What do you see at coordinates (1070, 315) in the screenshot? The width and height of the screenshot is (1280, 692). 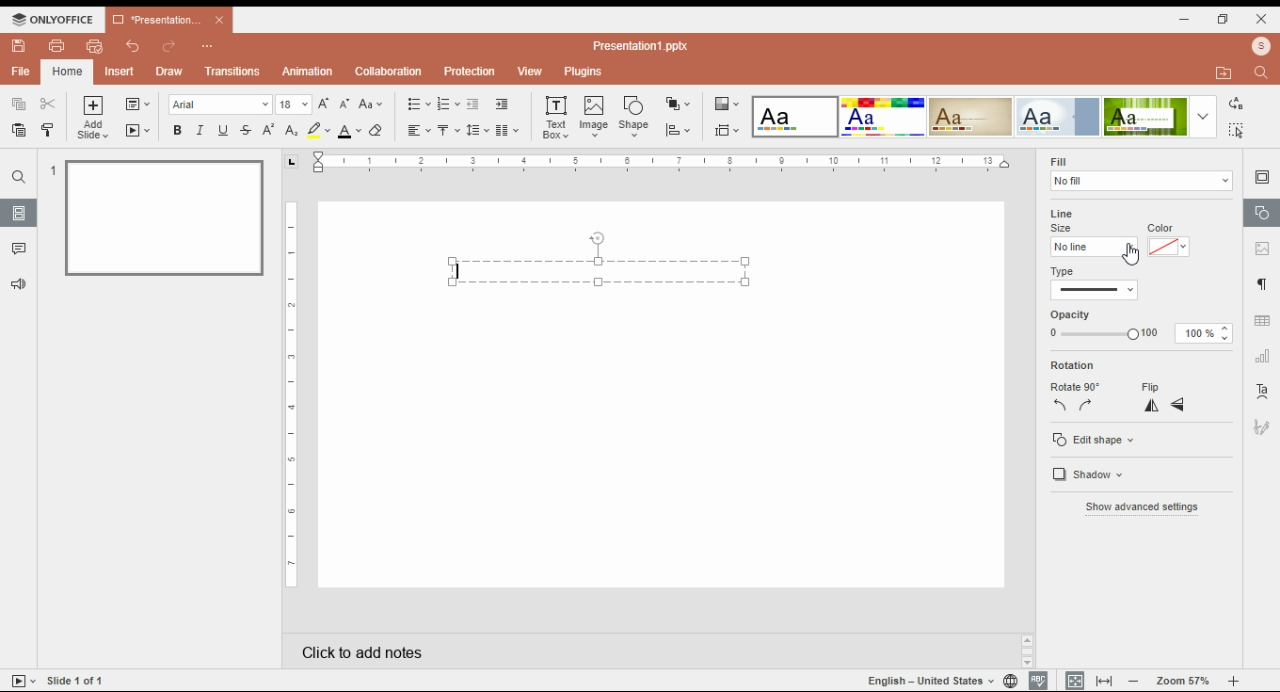 I see `opacity` at bounding box center [1070, 315].